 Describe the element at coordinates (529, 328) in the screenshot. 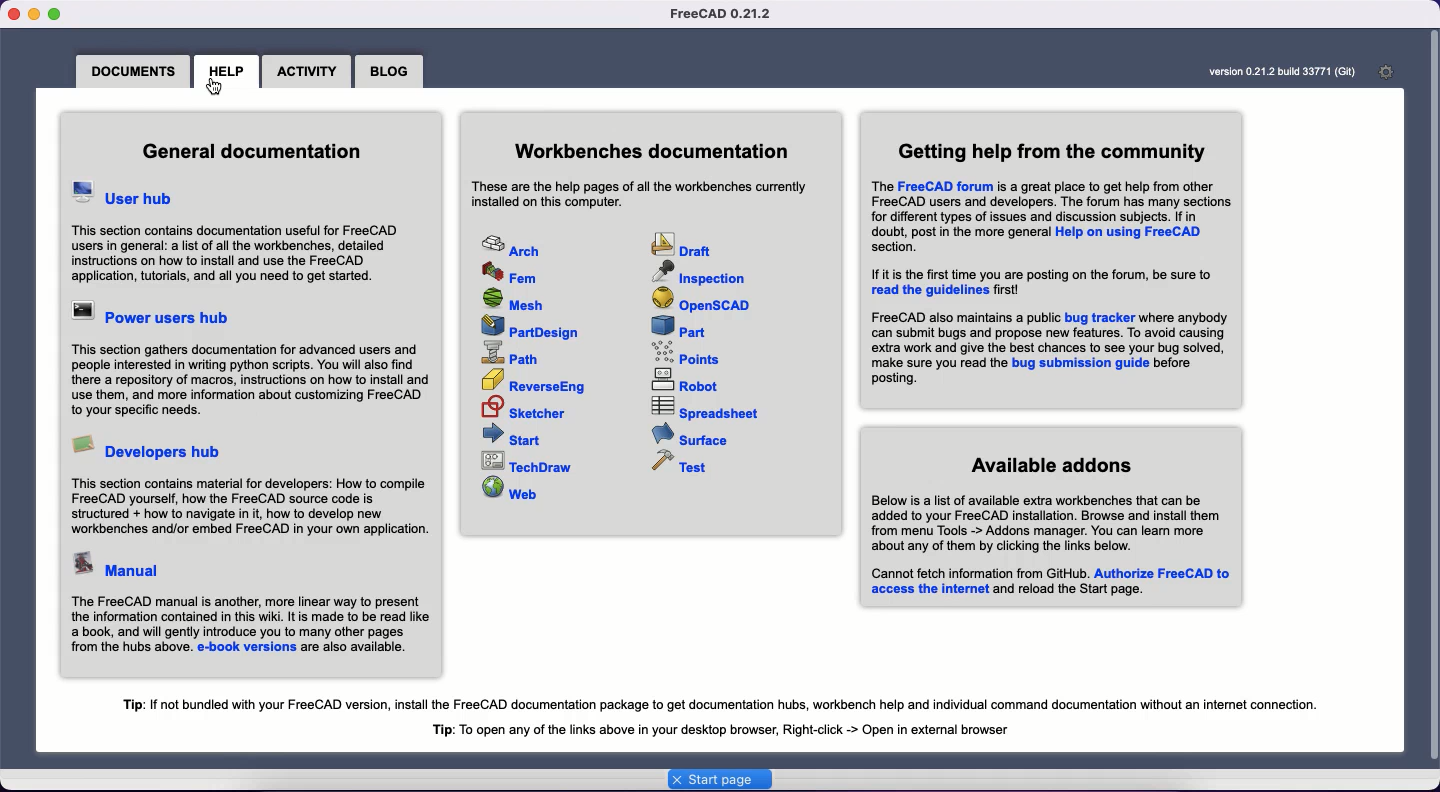

I see `PartDesign` at that location.